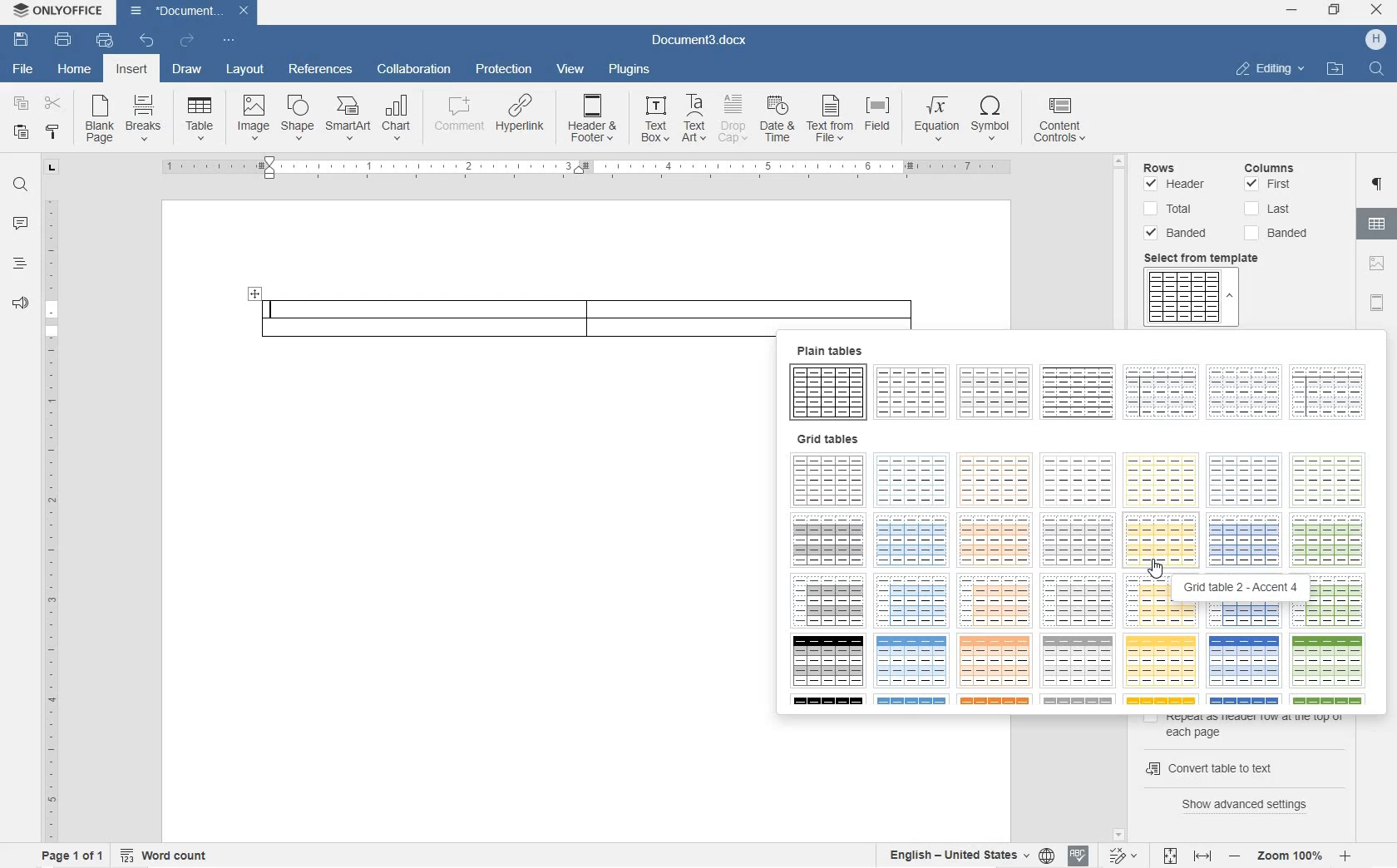 Image resolution: width=1397 pixels, height=868 pixels. I want to click on Hyperlink, so click(519, 119).